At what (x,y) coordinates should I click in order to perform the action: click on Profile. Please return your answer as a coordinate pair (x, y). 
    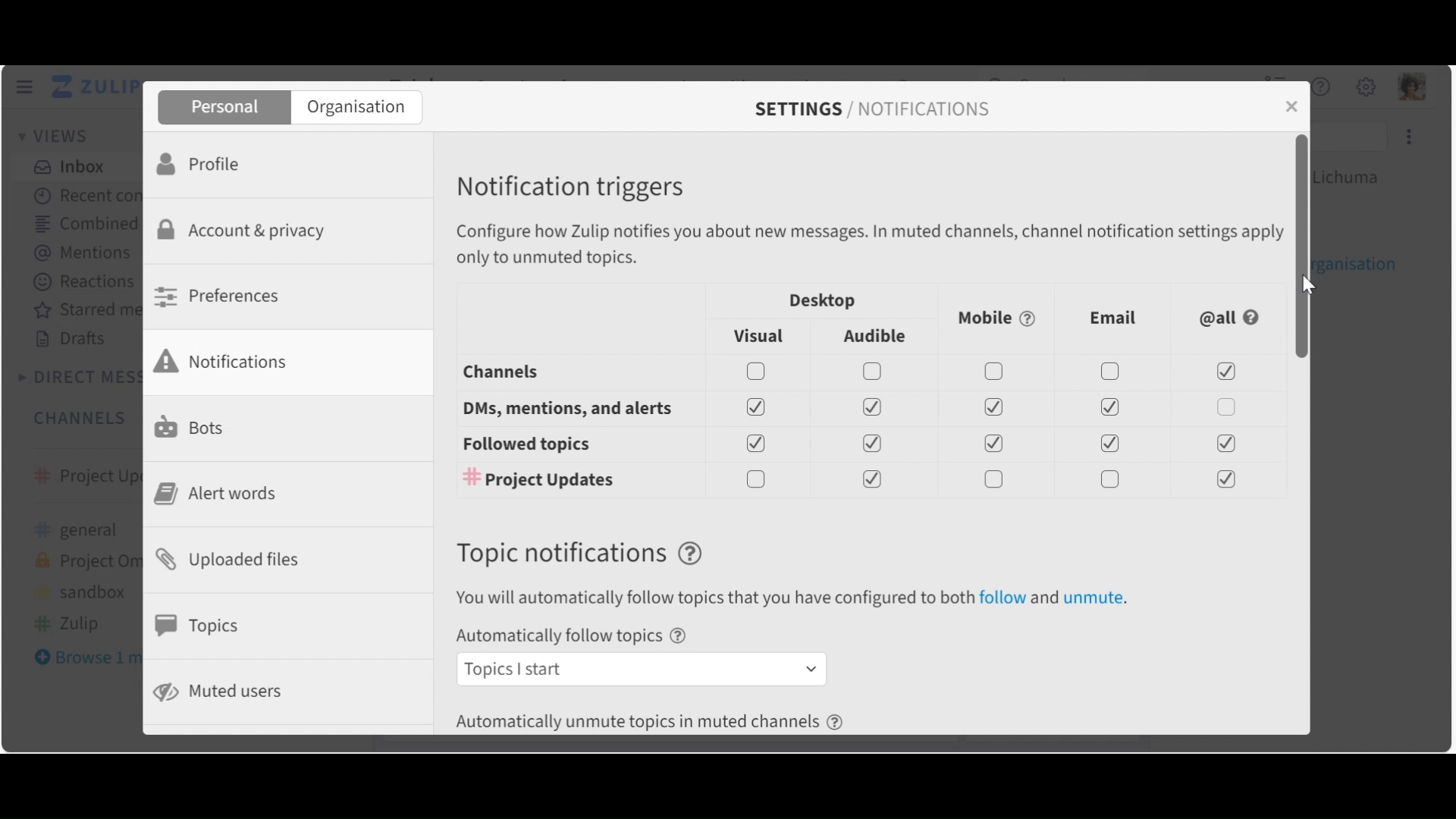
    Looking at the image, I should click on (204, 162).